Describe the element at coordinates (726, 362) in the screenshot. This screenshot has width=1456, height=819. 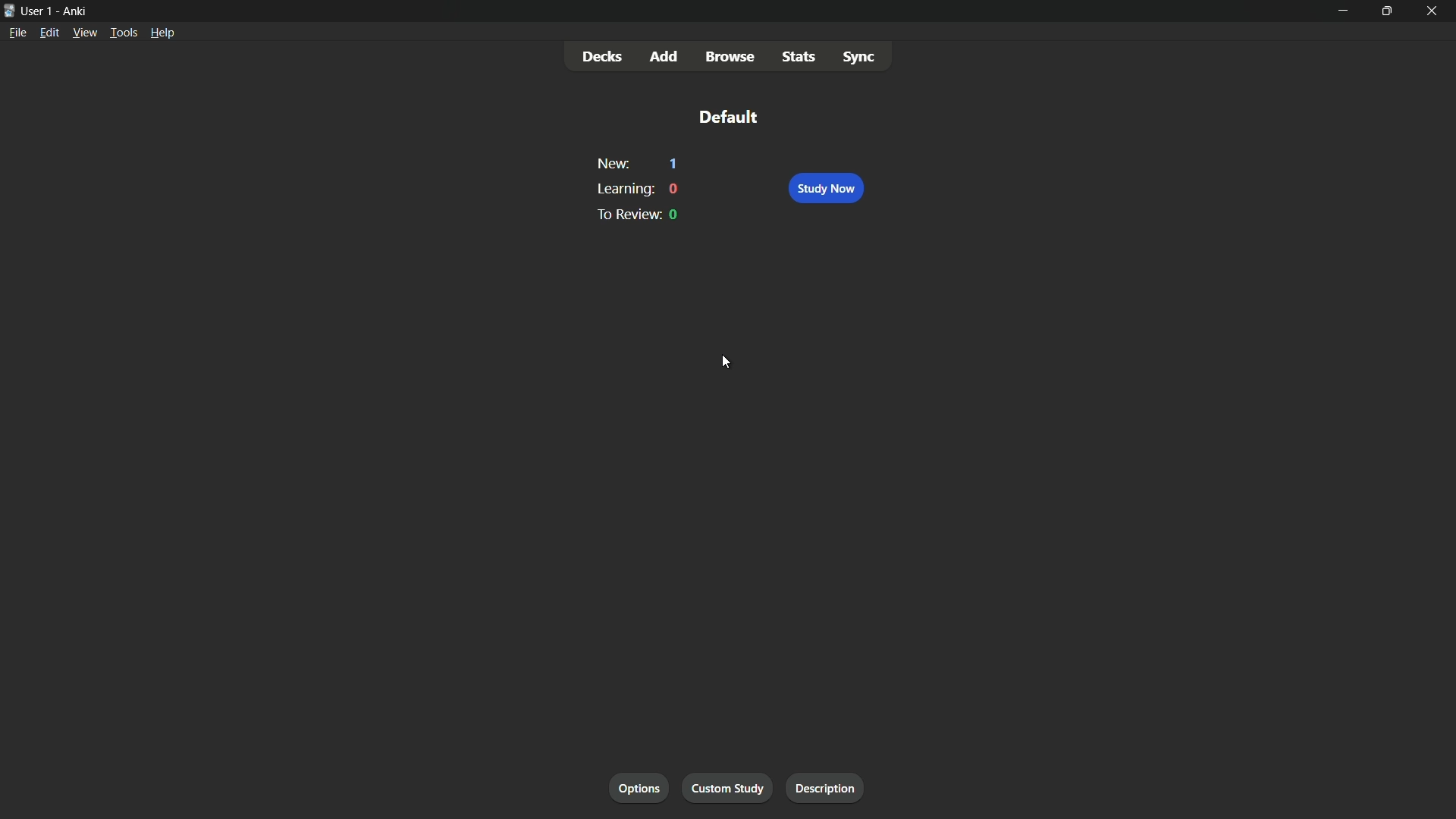
I see `cursor` at that location.